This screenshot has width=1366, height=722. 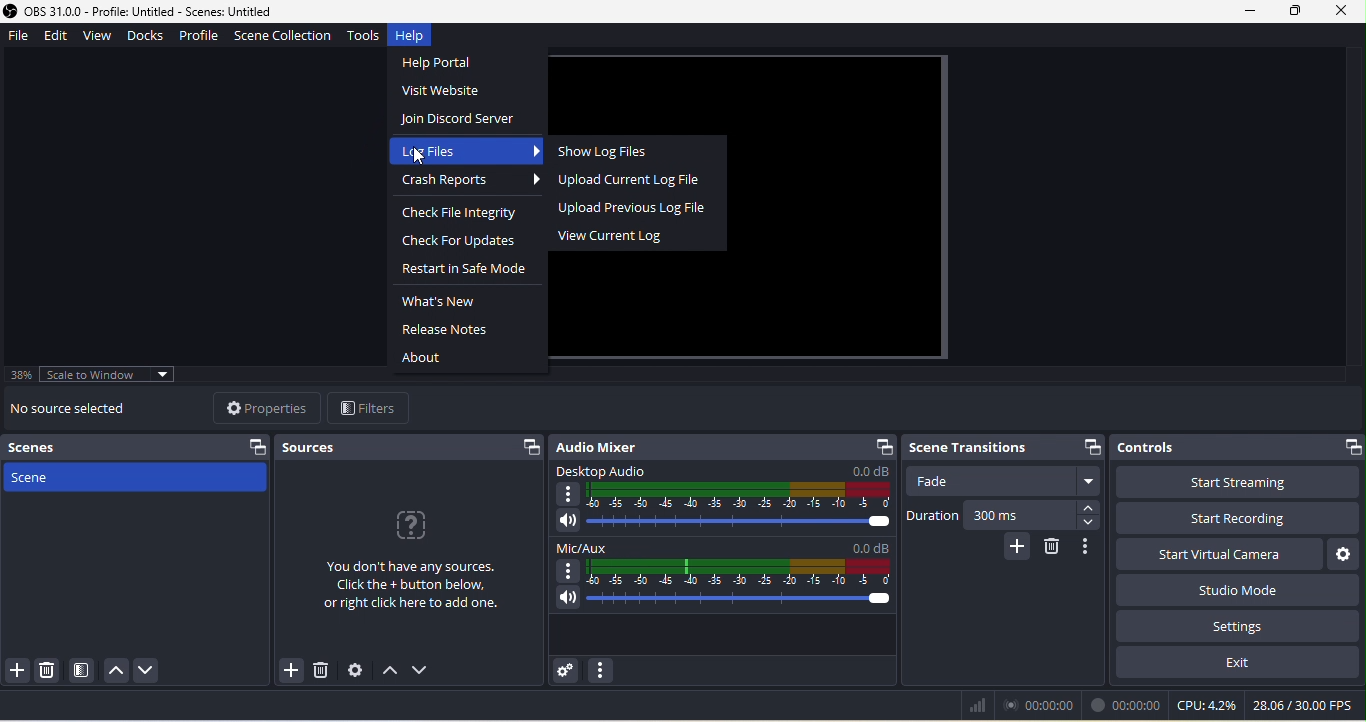 What do you see at coordinates (60, 38) in the screenshot?
I see `edit` at bounding box center [60, 38].